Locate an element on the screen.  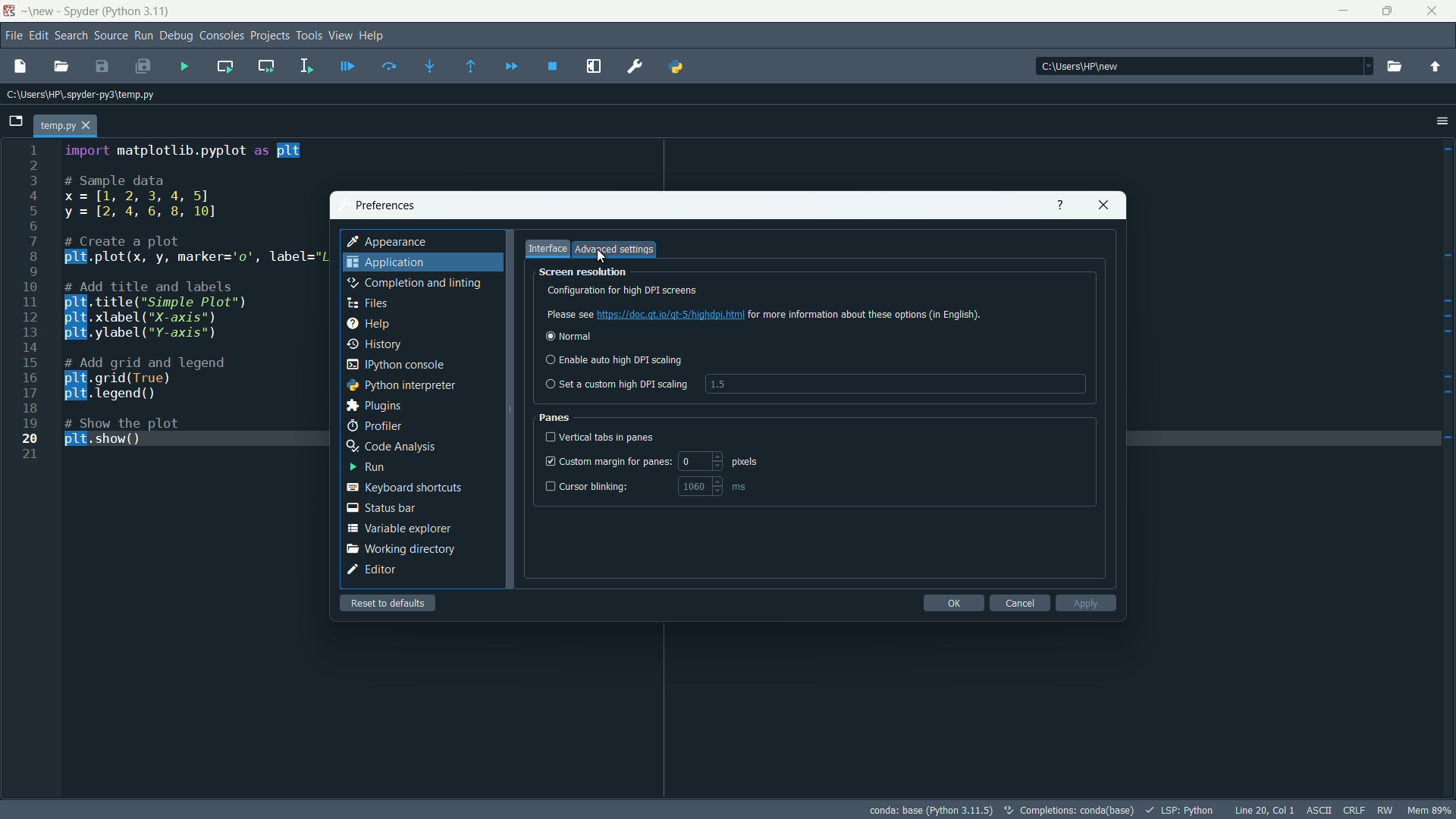
vertical tabs in panes is located at coordinates (603, 436).